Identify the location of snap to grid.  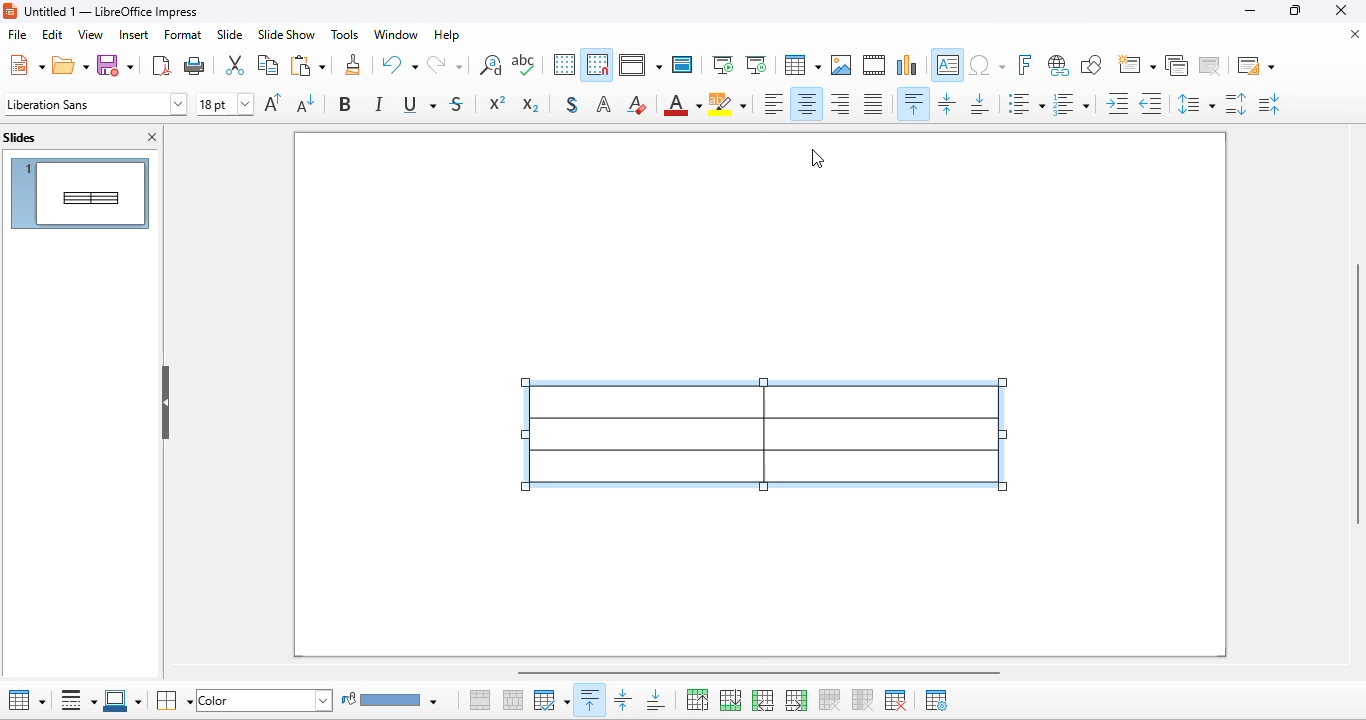
(598, 64).